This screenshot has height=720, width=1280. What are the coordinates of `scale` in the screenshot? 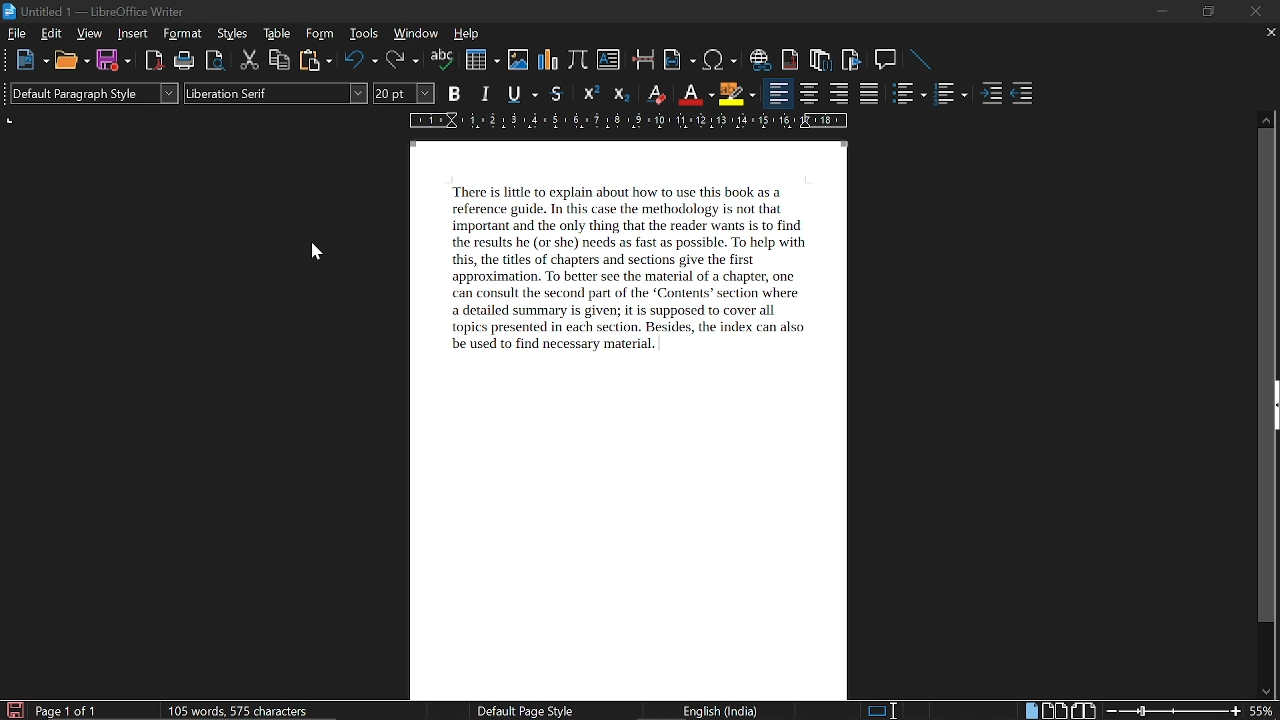 It's located at (627, 119).